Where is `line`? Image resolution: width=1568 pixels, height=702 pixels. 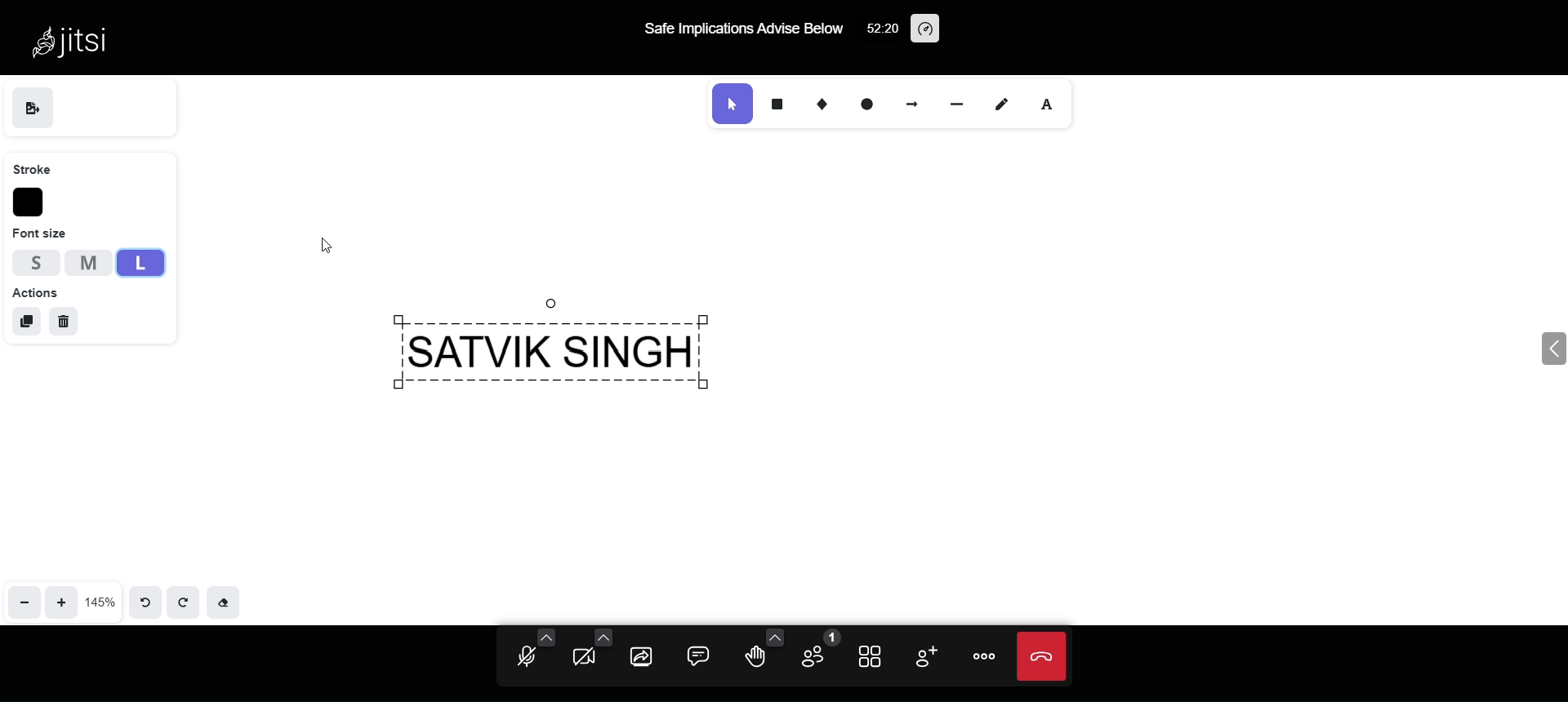 line is located at coordinates (951, 102).